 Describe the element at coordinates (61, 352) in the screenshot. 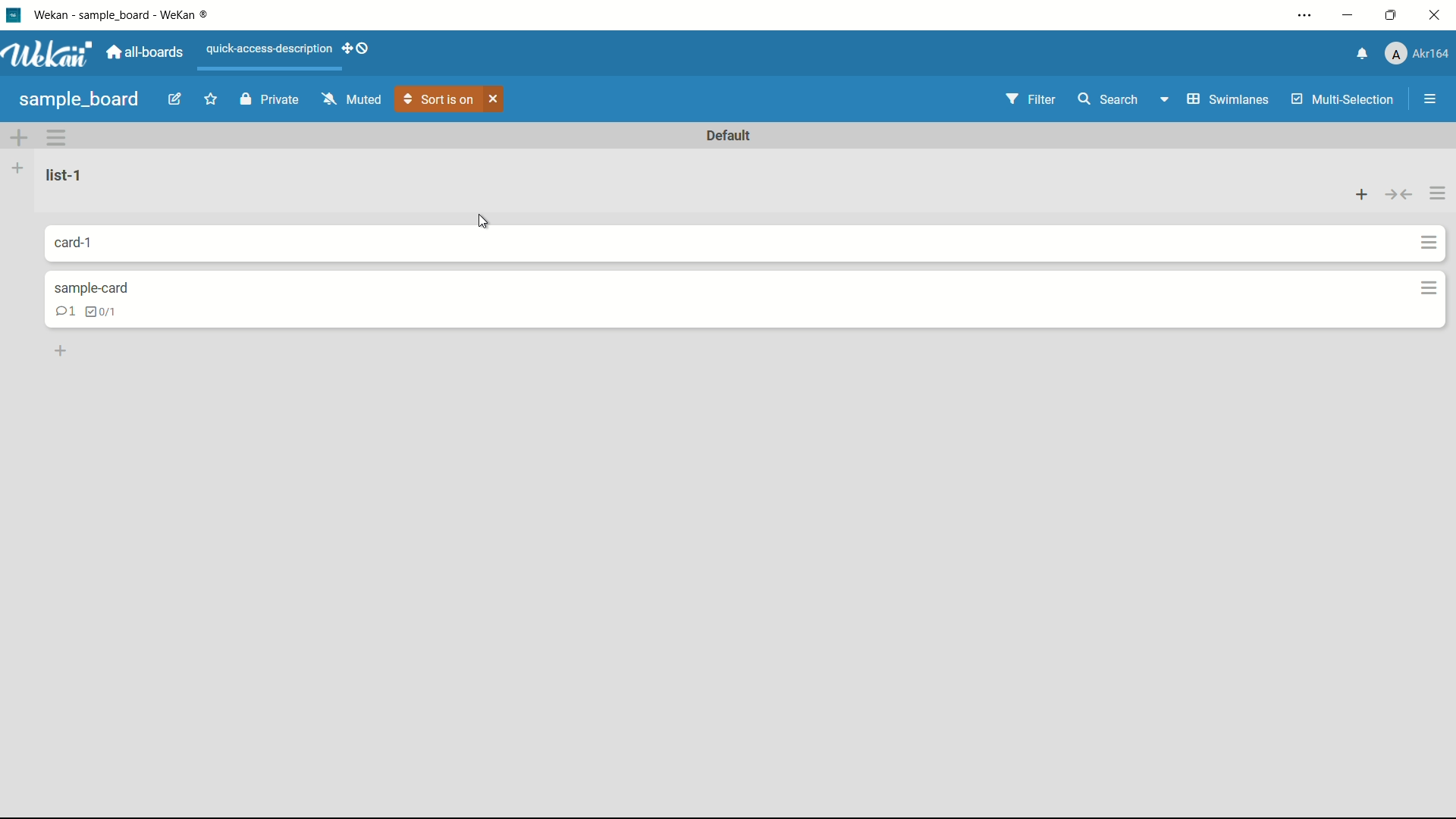

I see `add card` at that location.